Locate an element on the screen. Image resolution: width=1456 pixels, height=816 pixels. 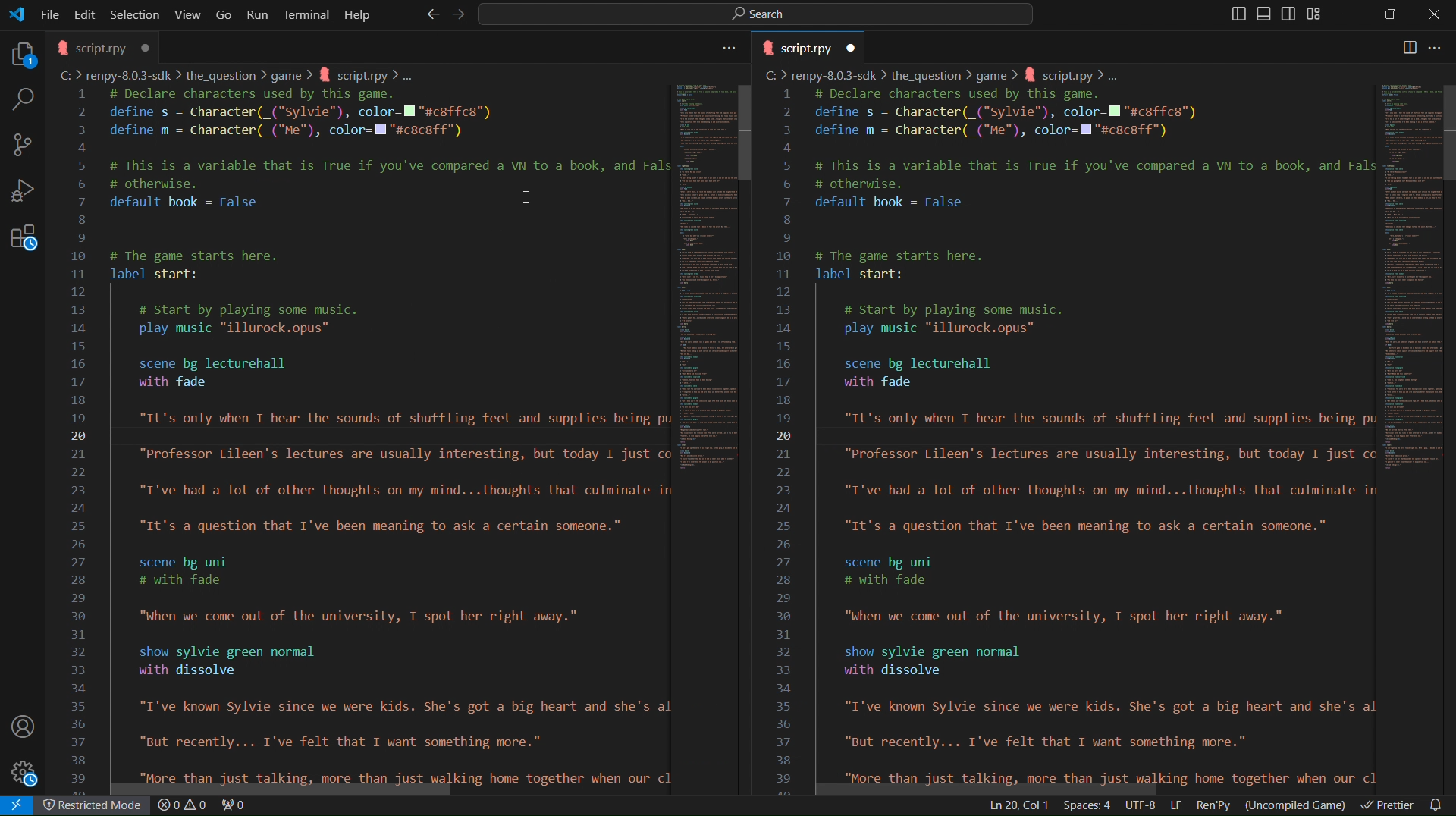
Minimize is located at coordinates (1351, 14).